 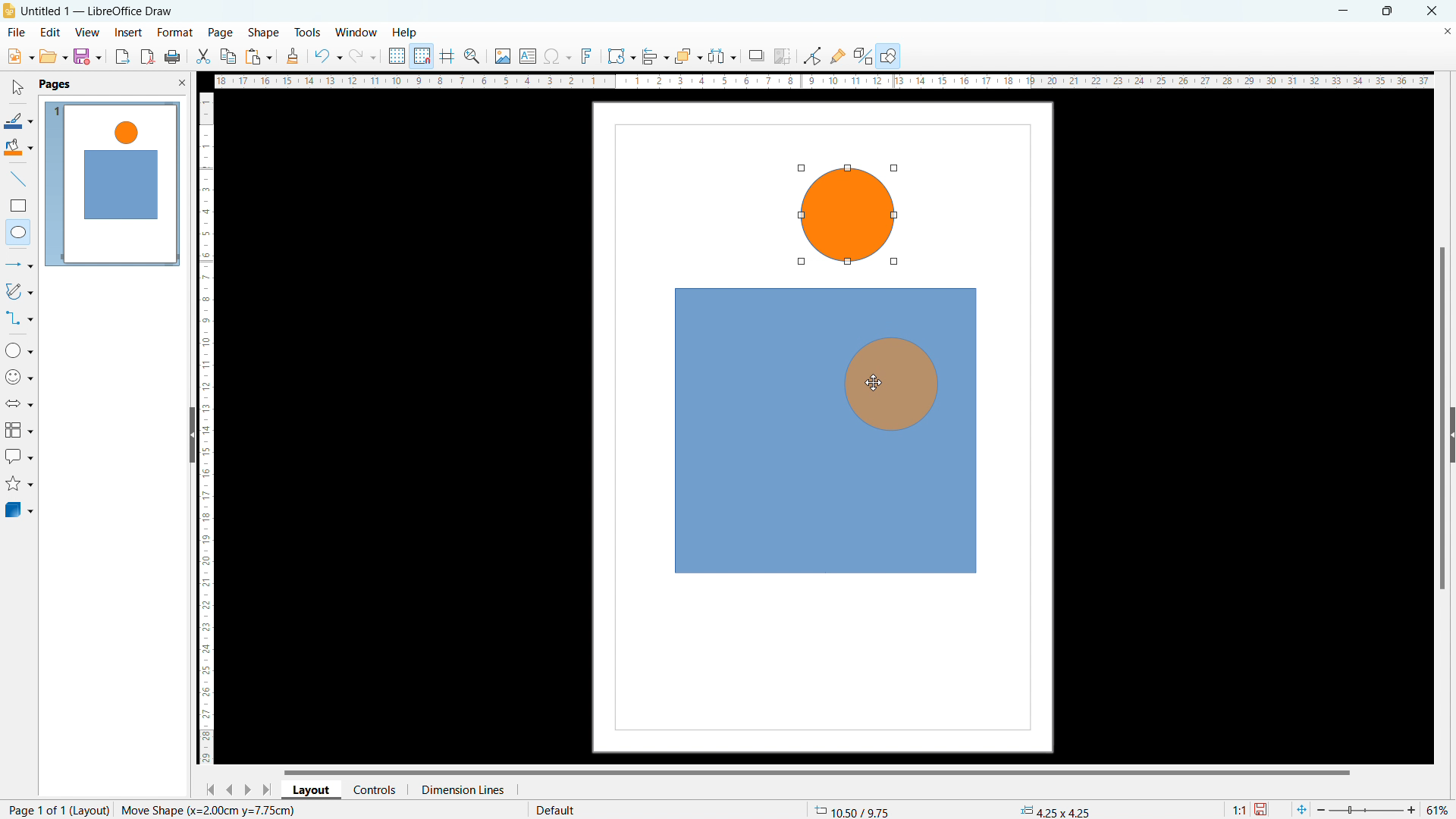 I want to click on insert, so click(x=129, y=33).